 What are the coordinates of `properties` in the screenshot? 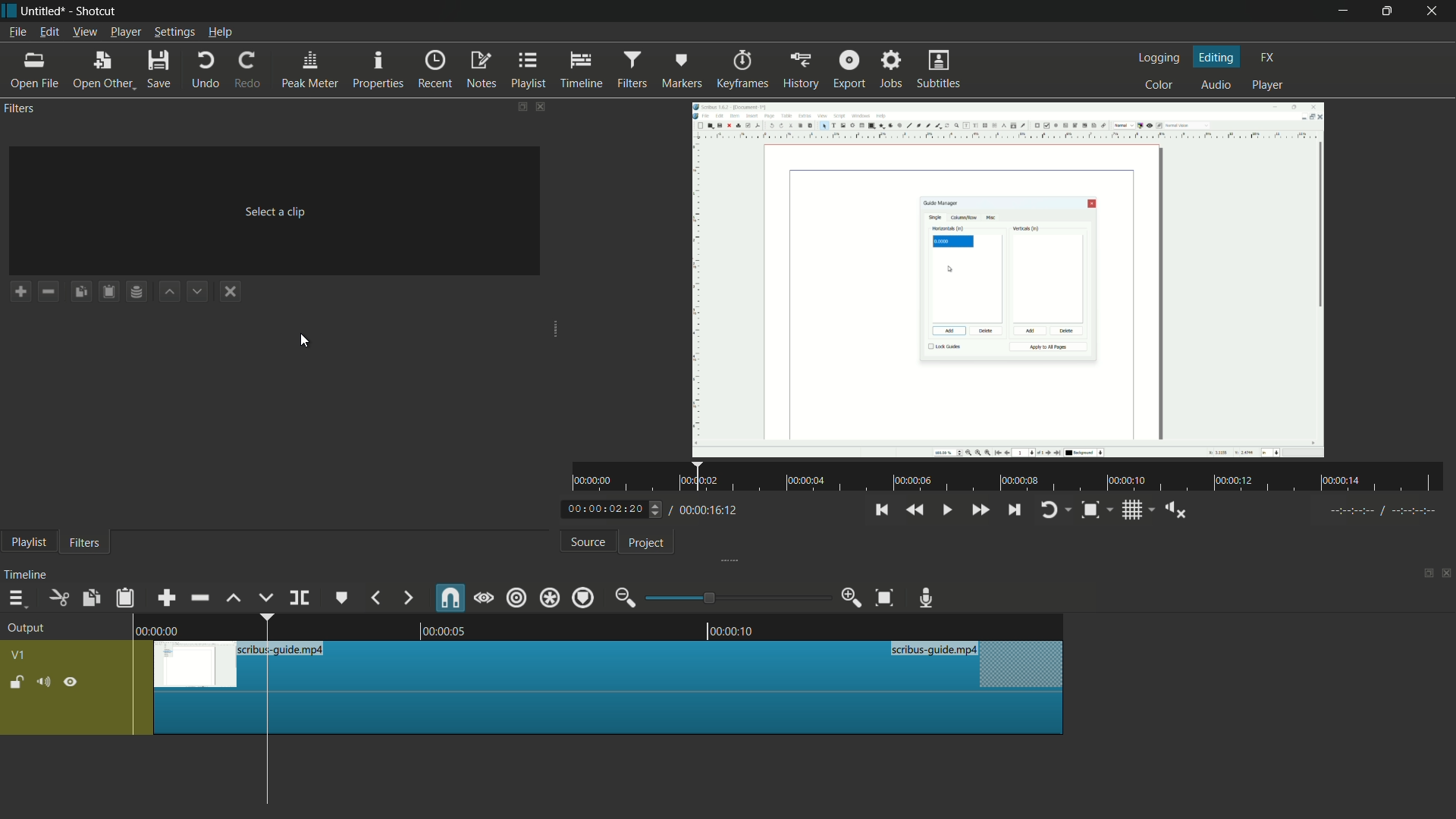 It's located at (378, 69).